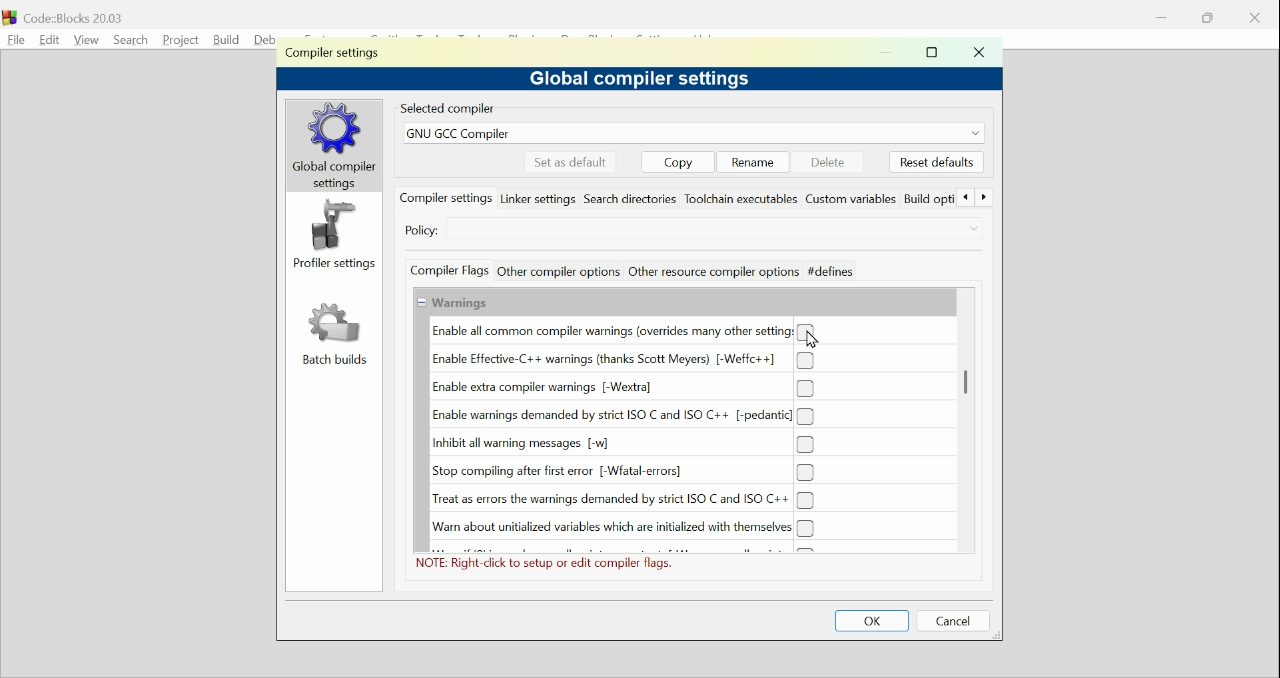 This screenshot has height=678, width=1280. I want to click on Build options, so click(929, 200).